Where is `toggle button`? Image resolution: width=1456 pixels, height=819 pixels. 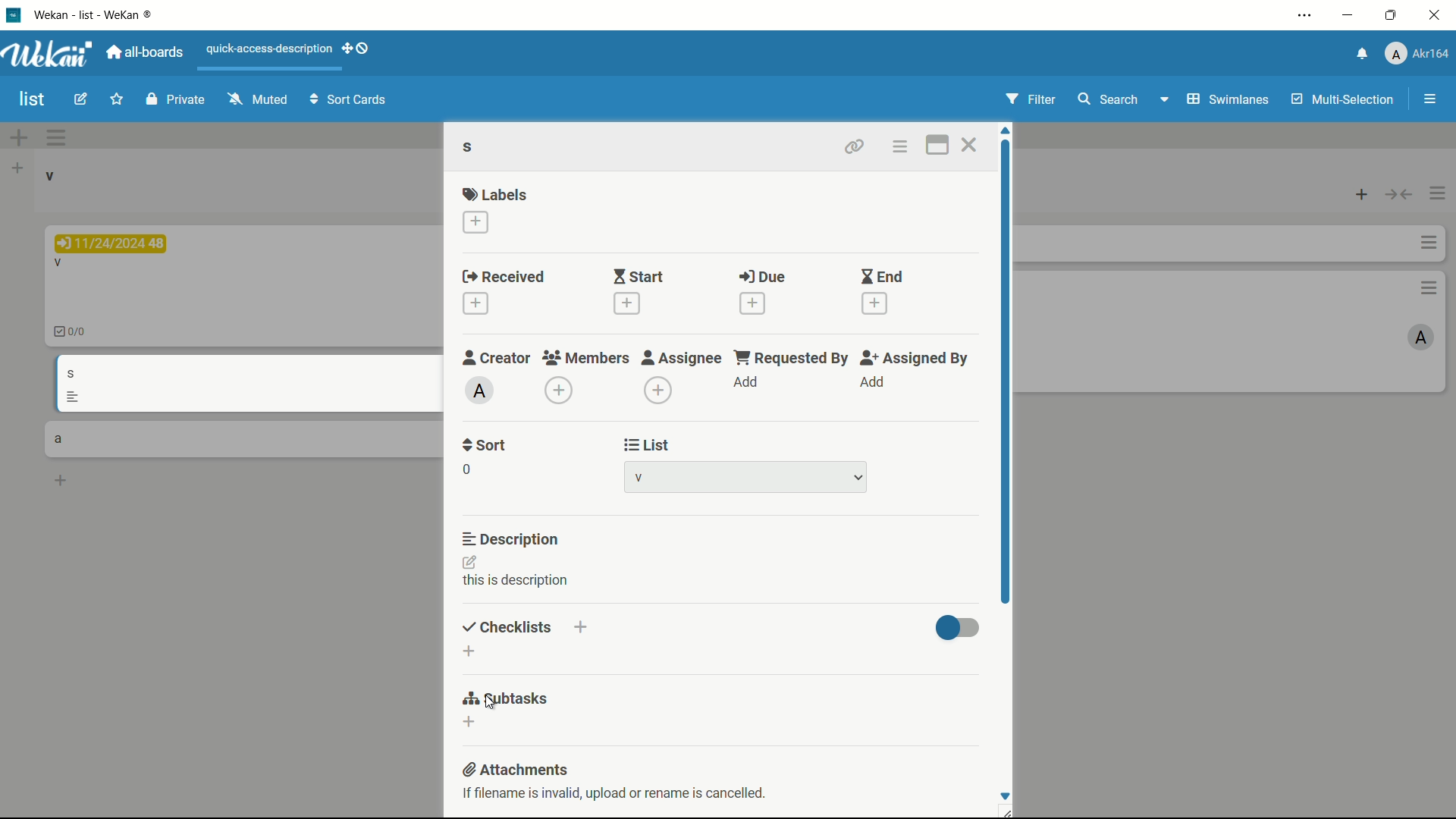 toggle button is located at coordinates (959, 629).